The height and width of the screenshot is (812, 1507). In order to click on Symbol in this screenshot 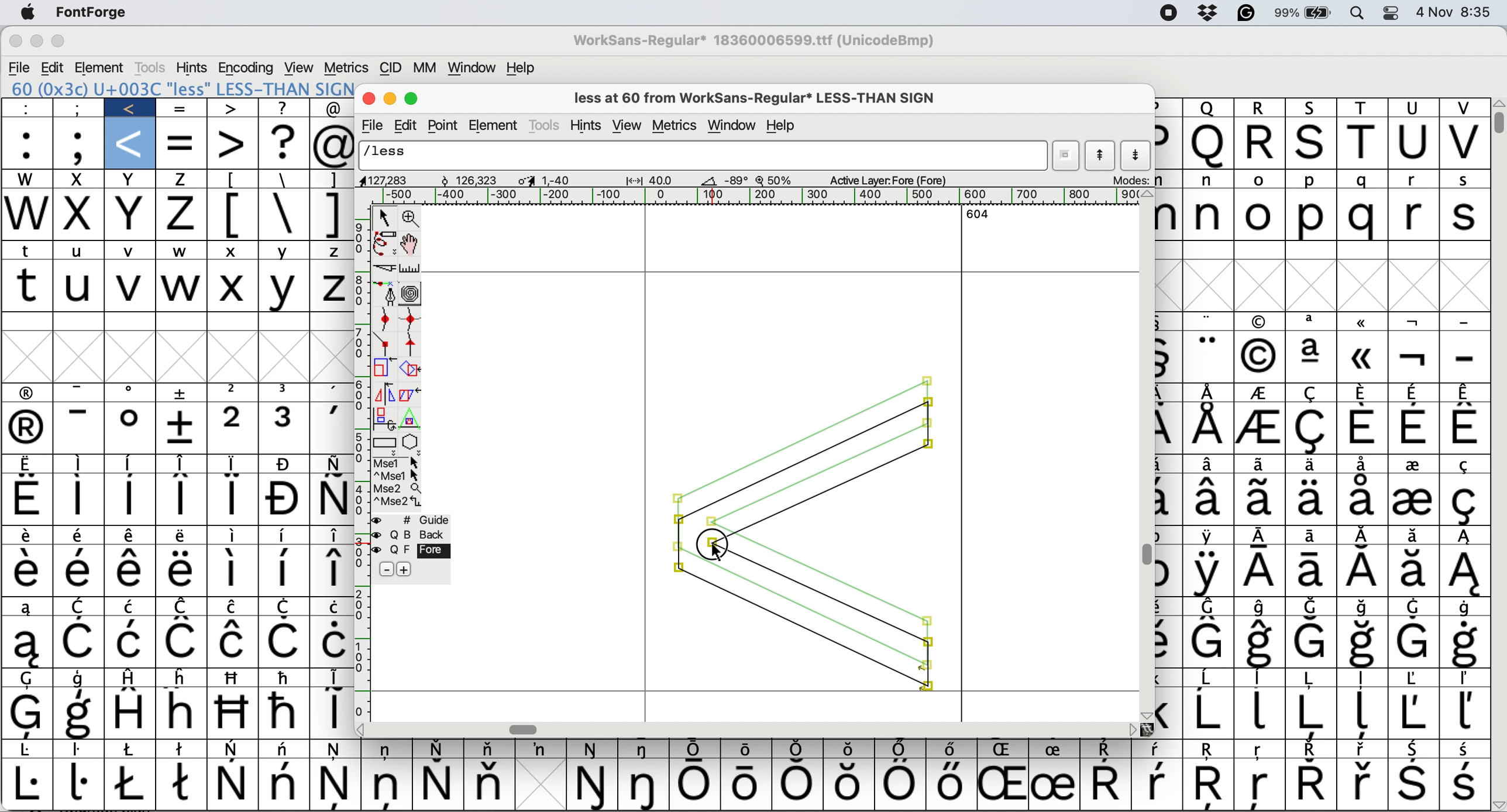, I will do `click(29, 609)`.